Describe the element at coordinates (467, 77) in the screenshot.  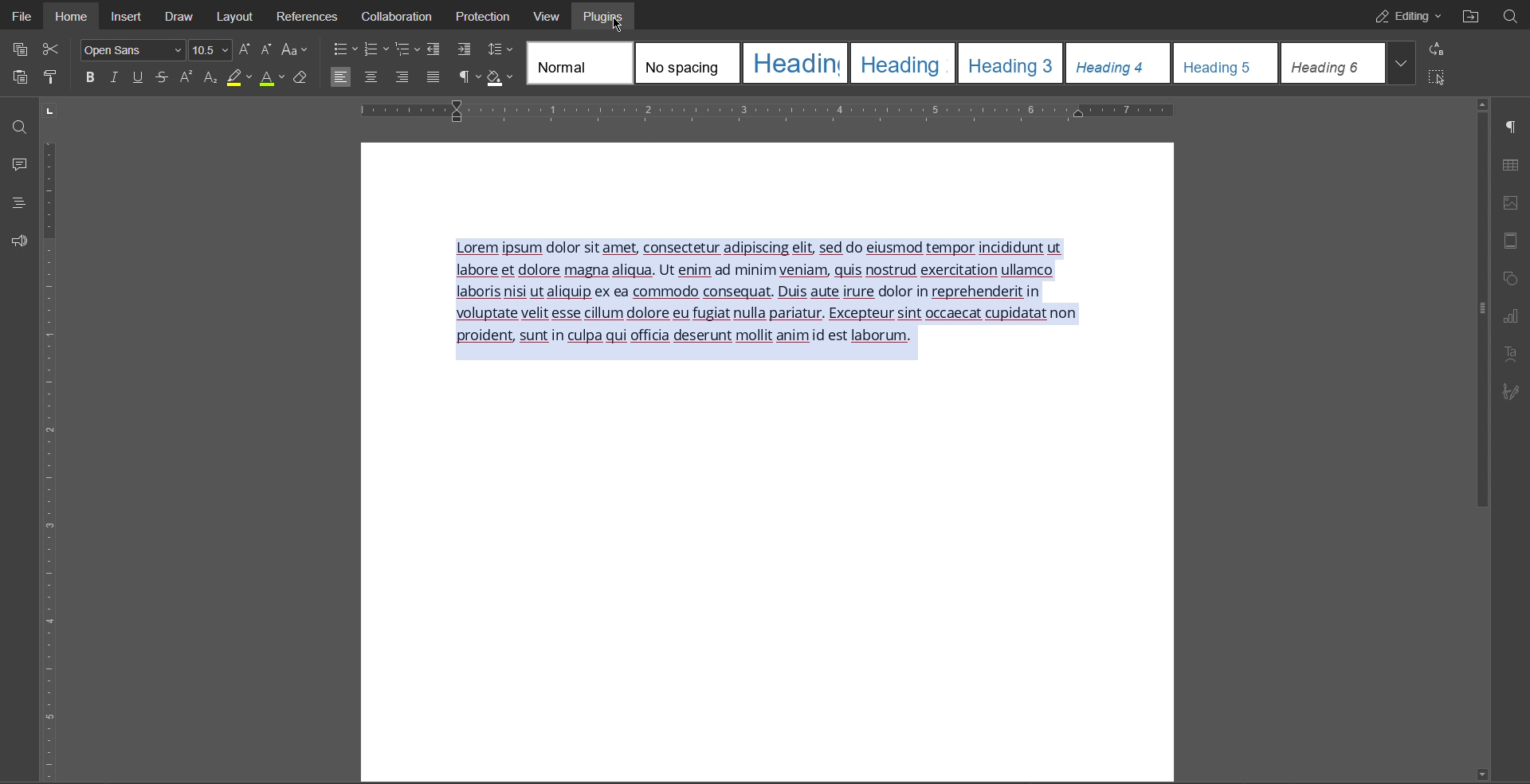
I see `Paragraph Settings` at that location.